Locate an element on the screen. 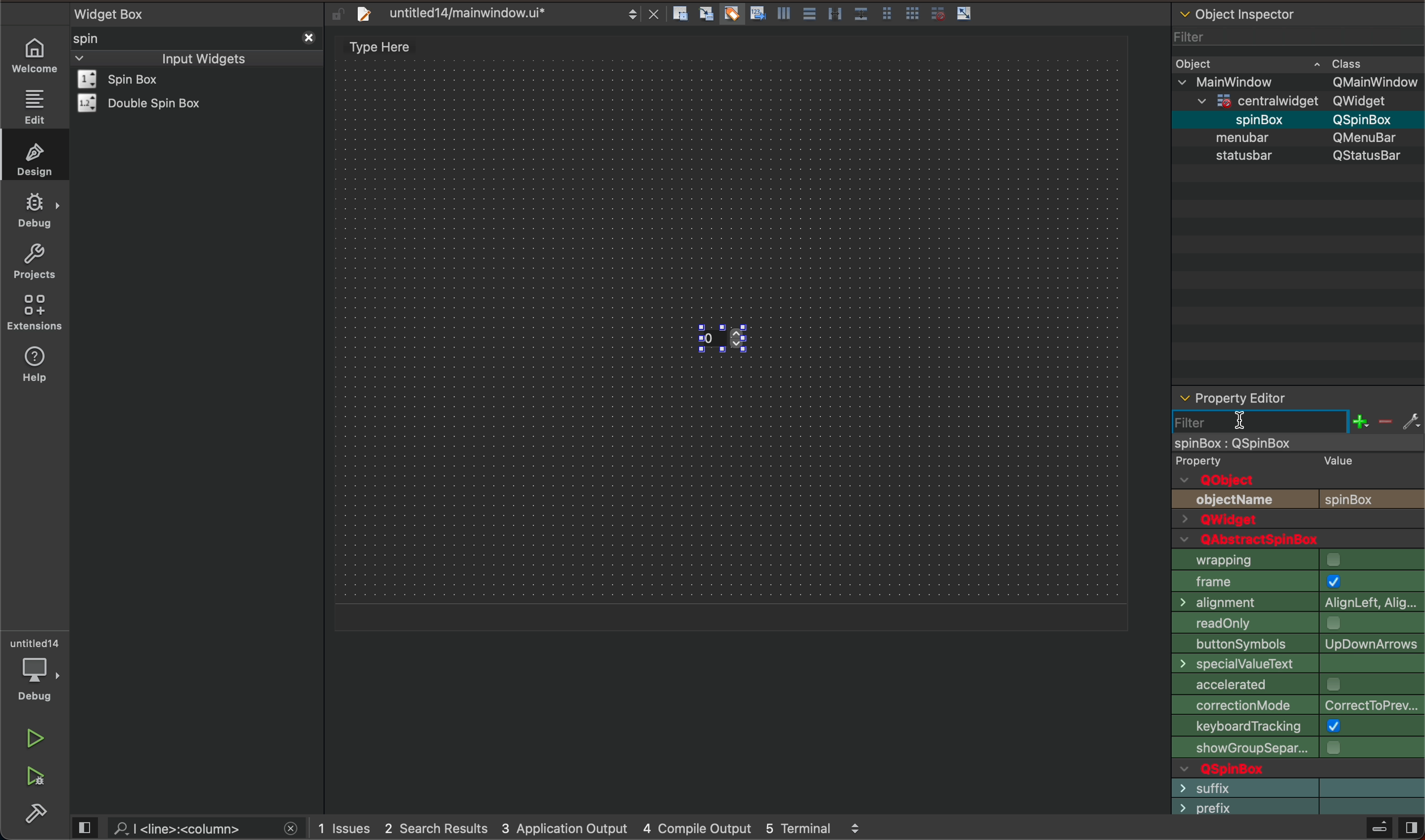  design area is located at coordinates (387, 47).